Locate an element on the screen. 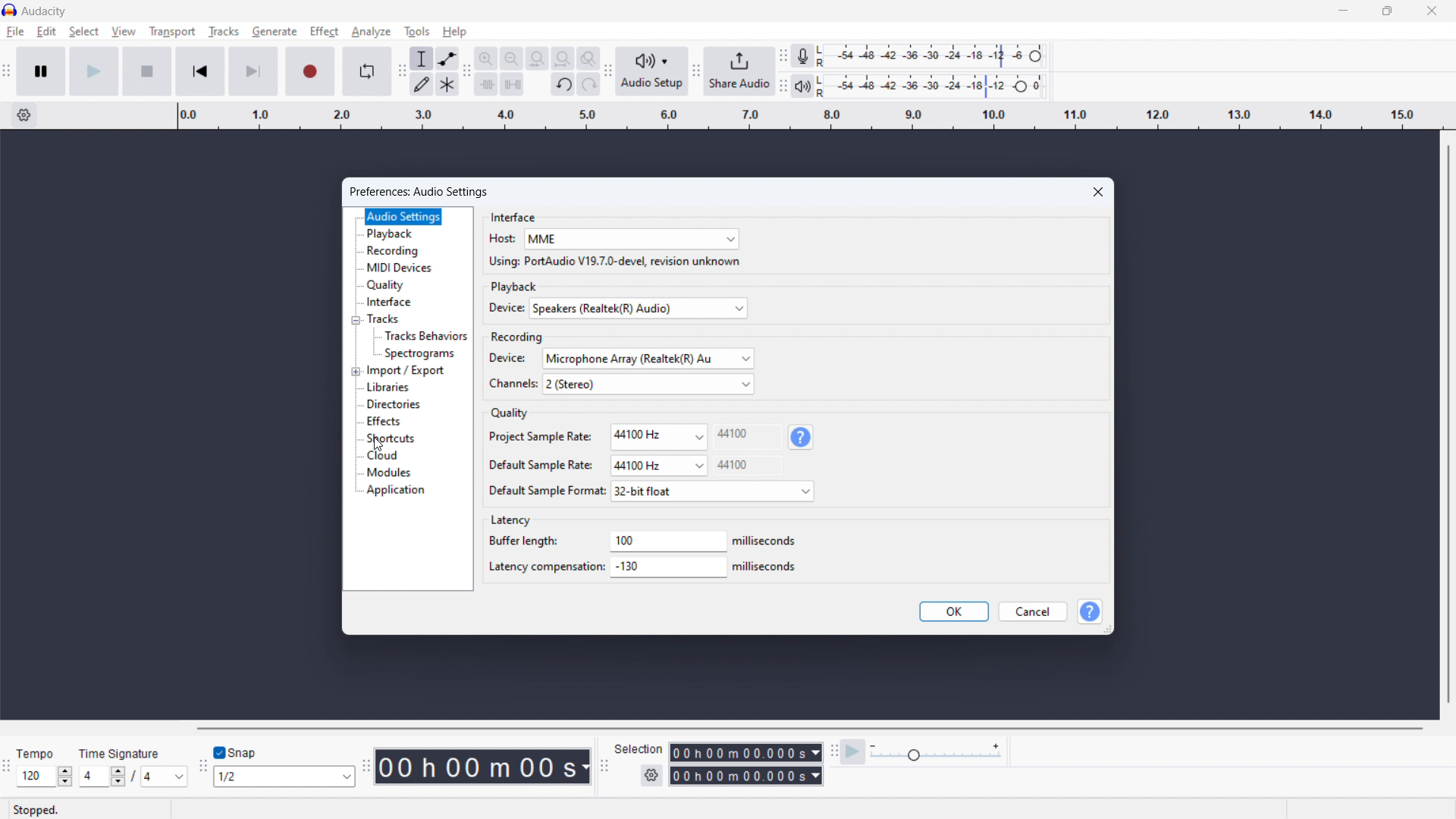 The height and width of the screenshot is (819, 1456). maximize is located at coordinates (1385, 11).